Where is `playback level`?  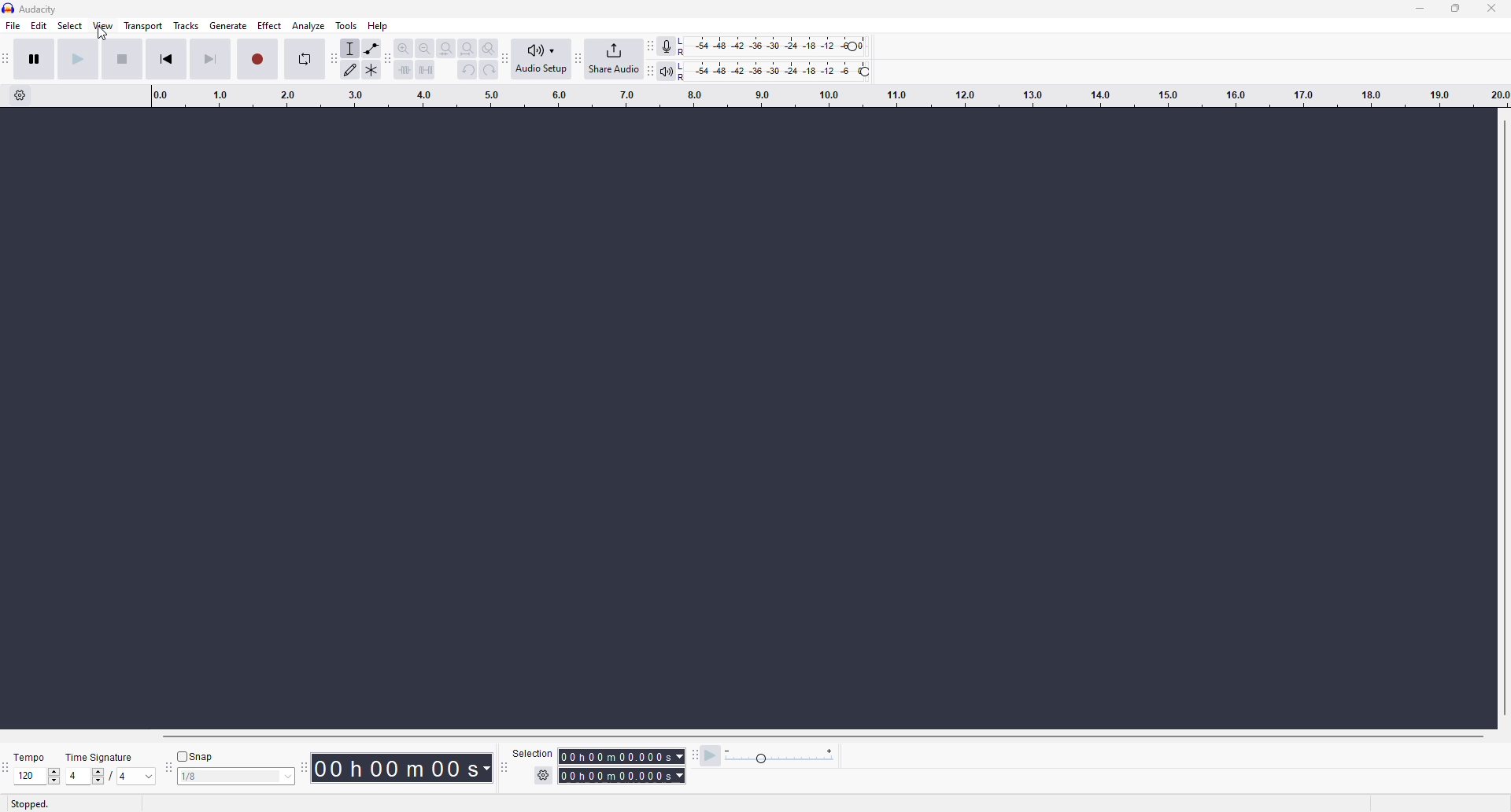 playback level is located at coordinates (776, 71).